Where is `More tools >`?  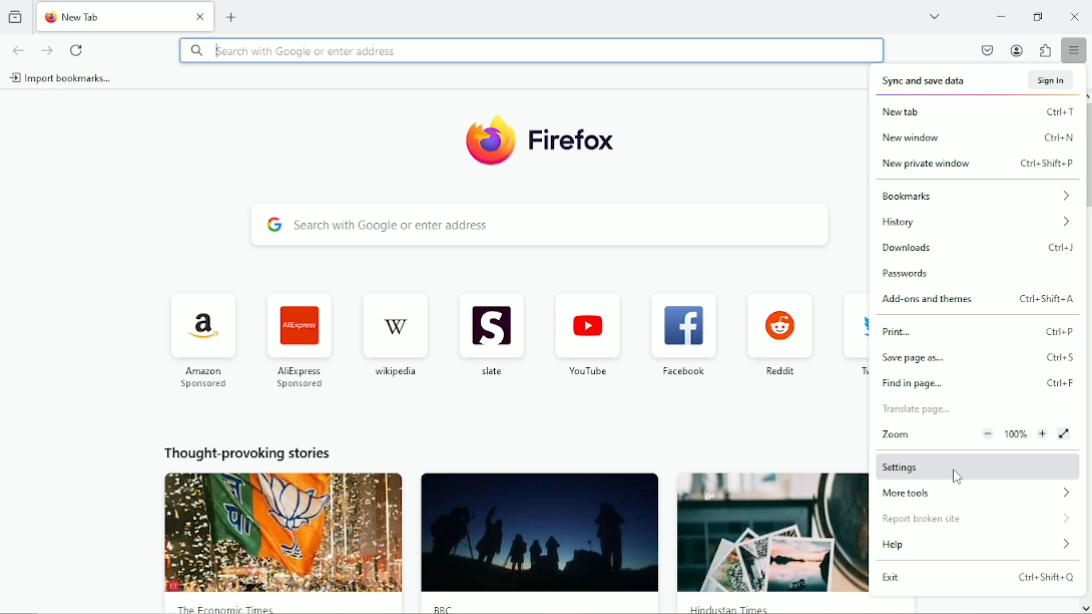
More tools > is located at coordinates (976, 495).